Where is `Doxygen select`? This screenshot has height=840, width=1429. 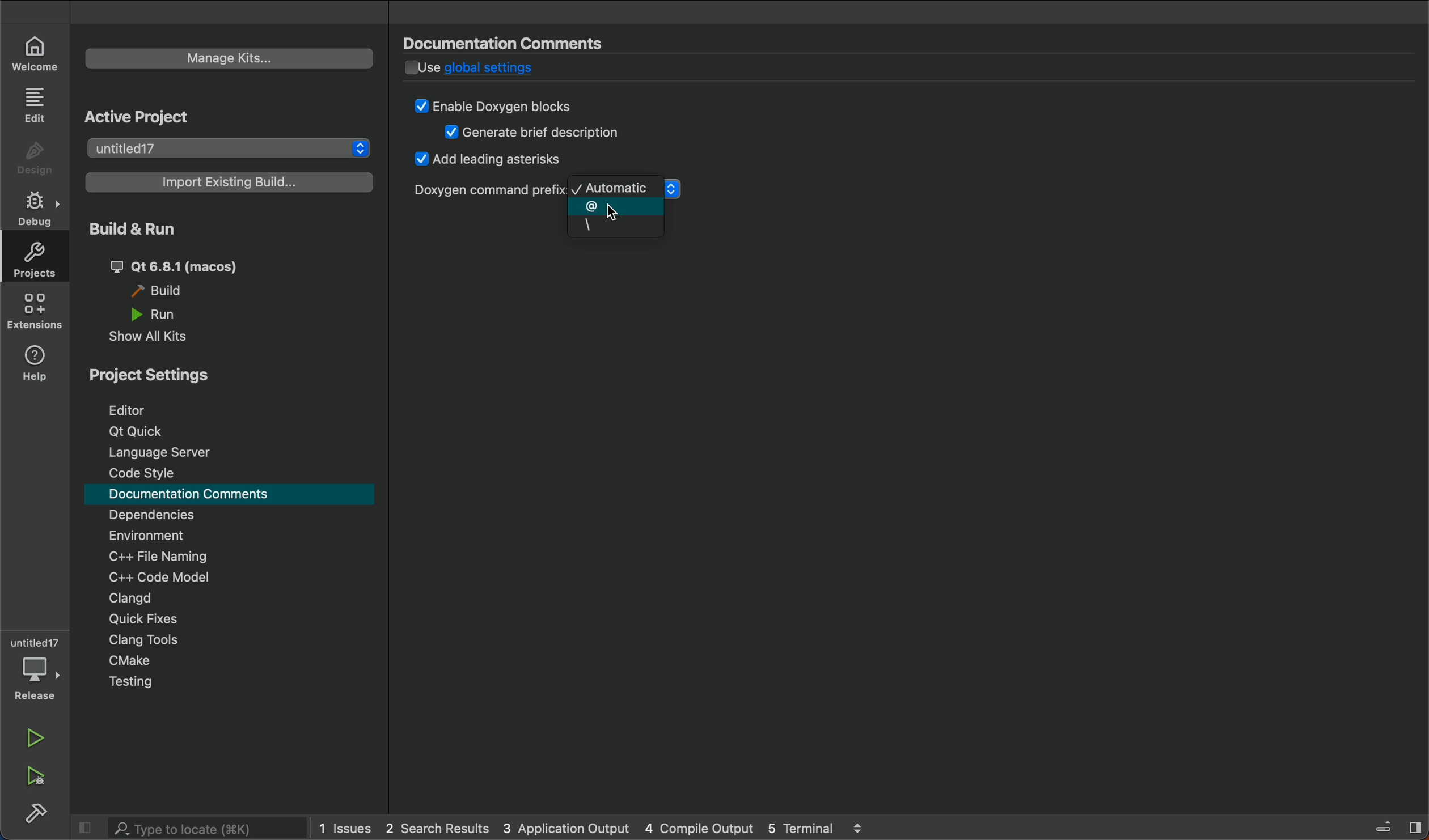
Doxygen select is located at coordinates (486, 190).